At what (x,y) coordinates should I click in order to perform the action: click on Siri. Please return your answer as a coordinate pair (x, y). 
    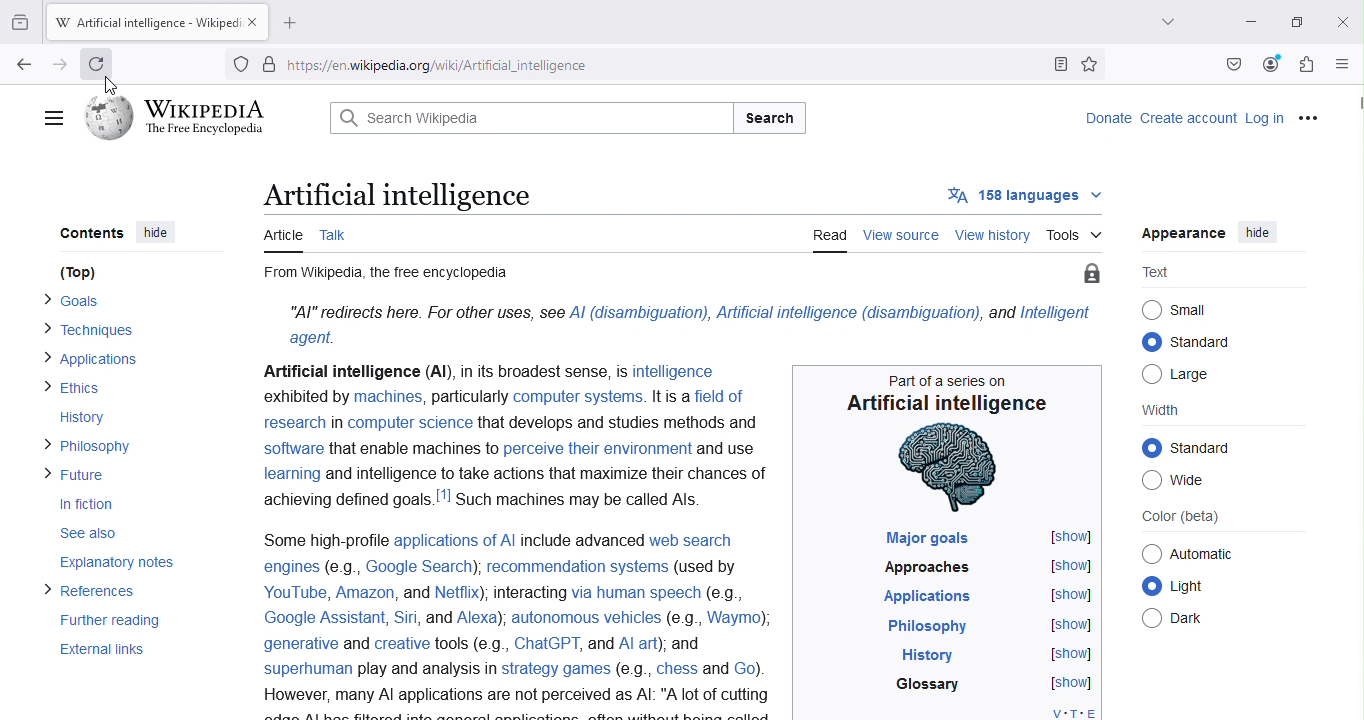
    Looking at the image, I should click on (404, 618).